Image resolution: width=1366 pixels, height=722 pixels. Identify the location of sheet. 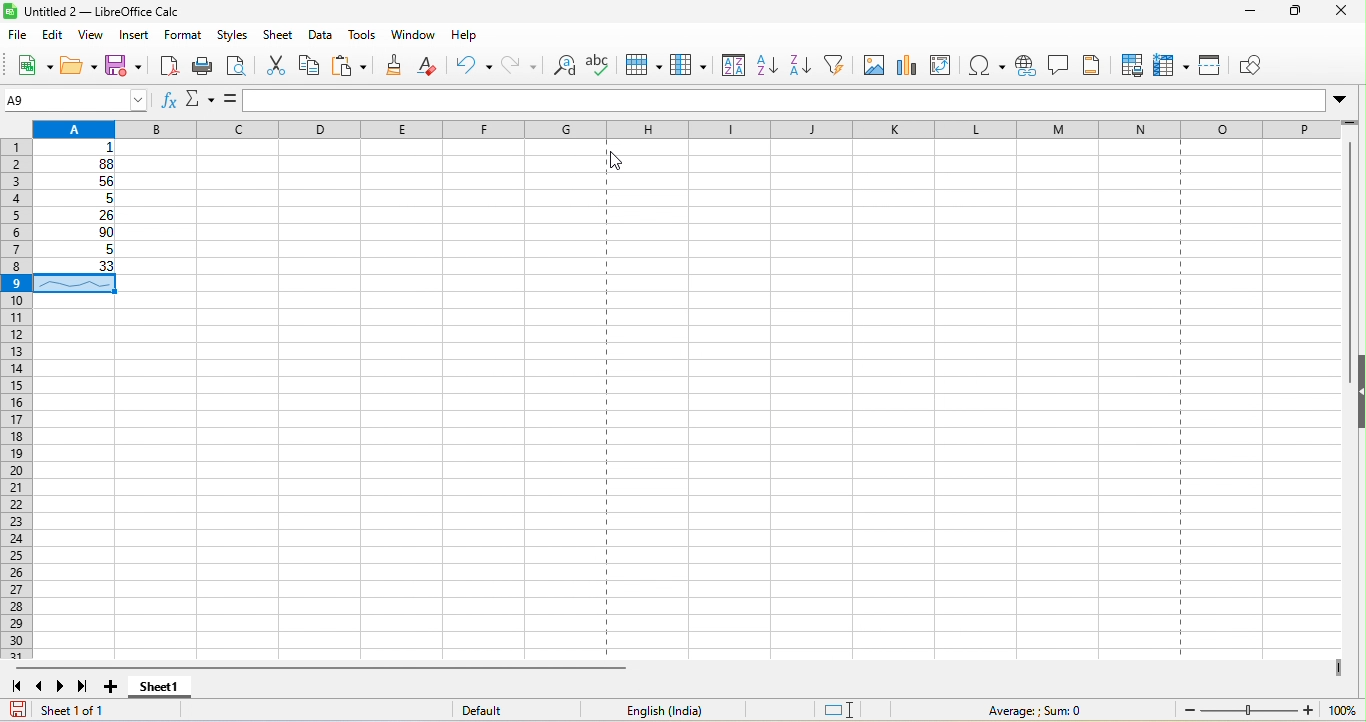
(280, 36).